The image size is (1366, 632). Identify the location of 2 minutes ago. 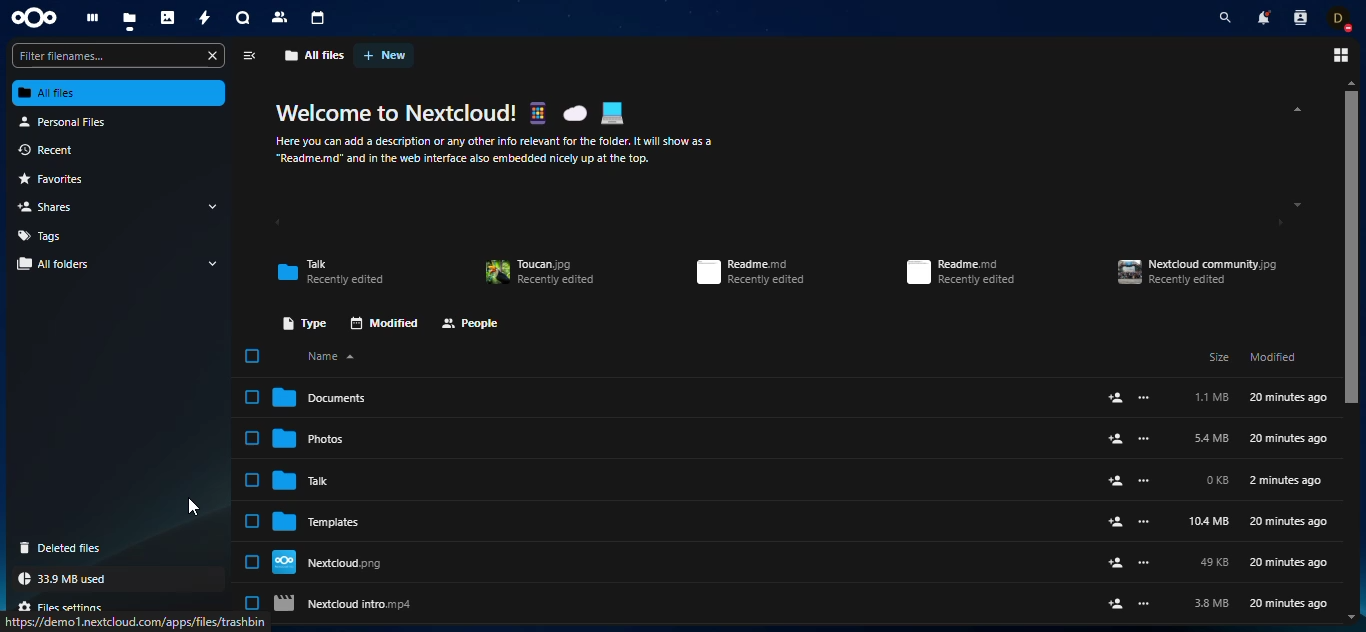
(1290, 480).